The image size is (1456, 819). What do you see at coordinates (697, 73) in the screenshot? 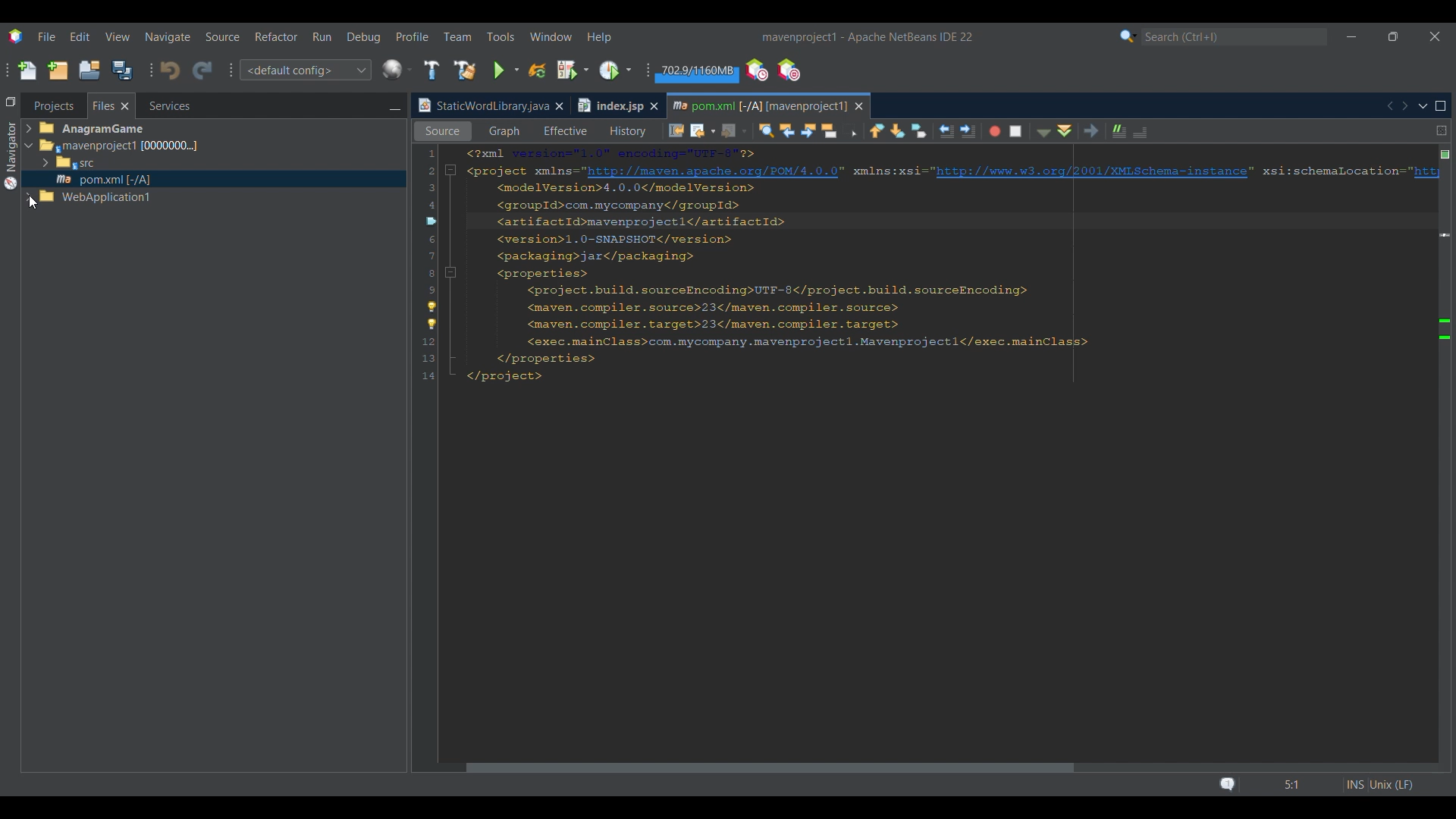
I see `Garbage collection amount changed` at bounding box center [697, 73].